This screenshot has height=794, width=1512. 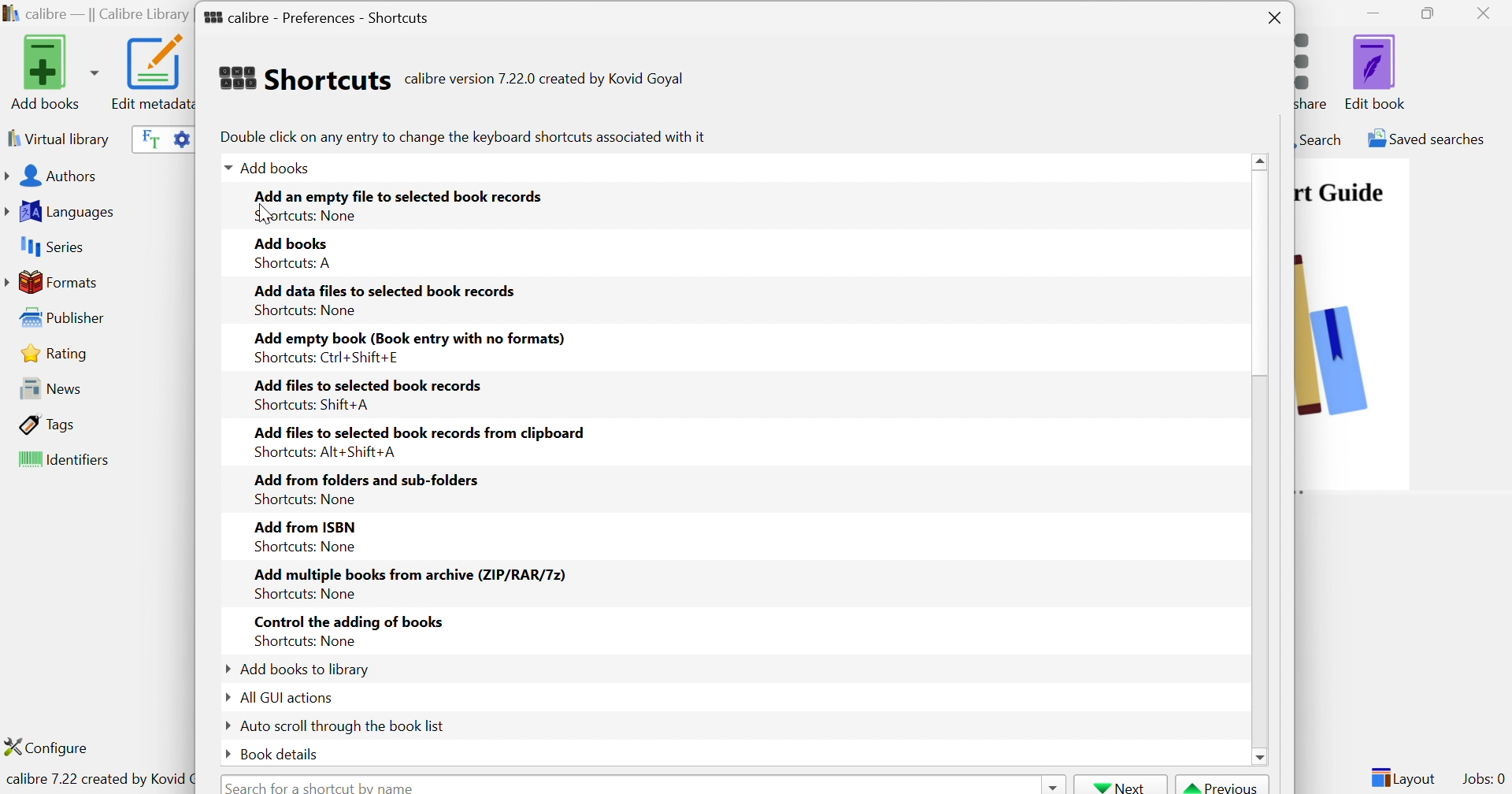 What do you see at coordinates (1403, 777) in the screenshot?
I see `Layout:0` at bounding box center [1403, 777].